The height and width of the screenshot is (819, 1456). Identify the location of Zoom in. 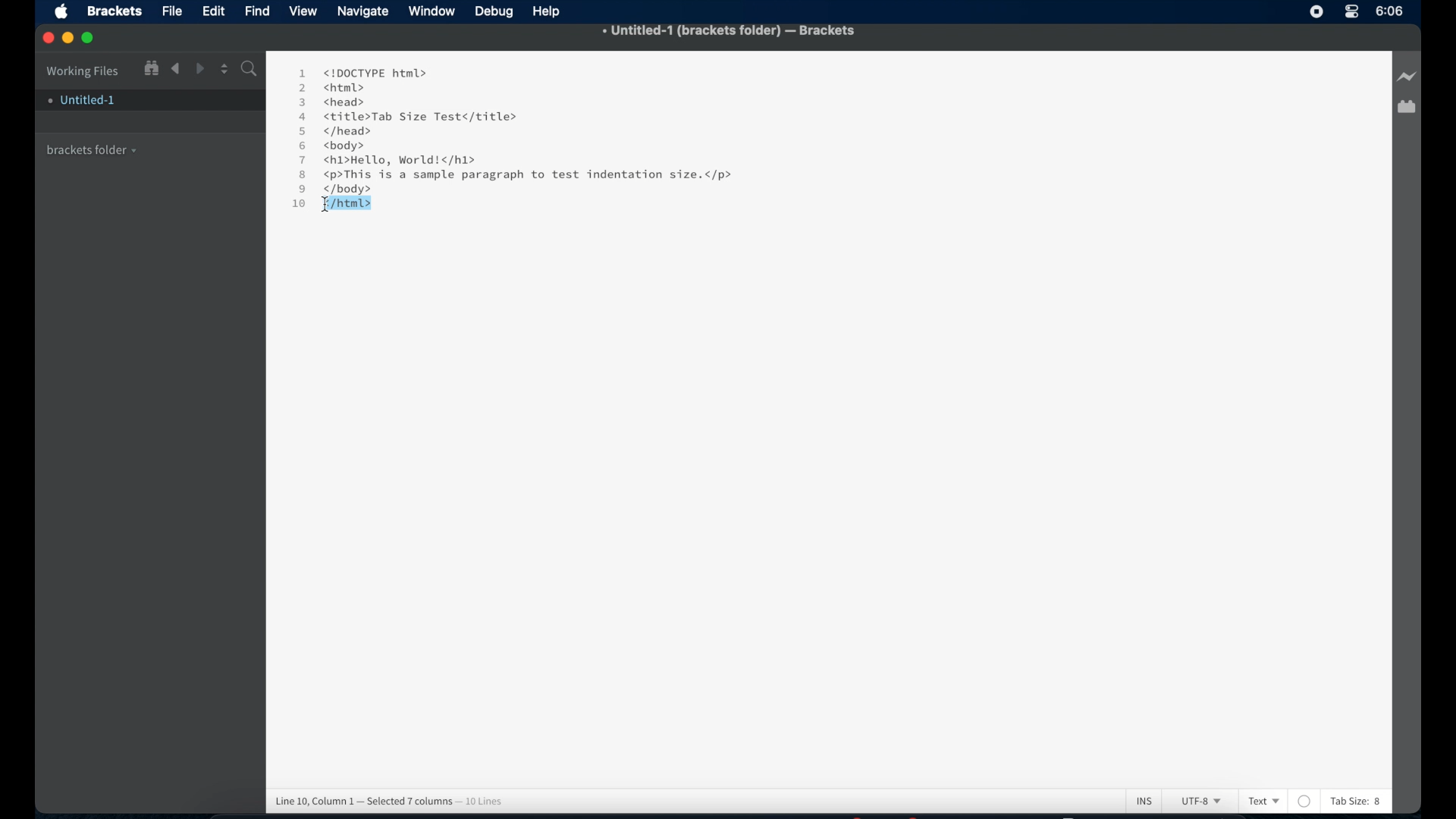
(150, 67).